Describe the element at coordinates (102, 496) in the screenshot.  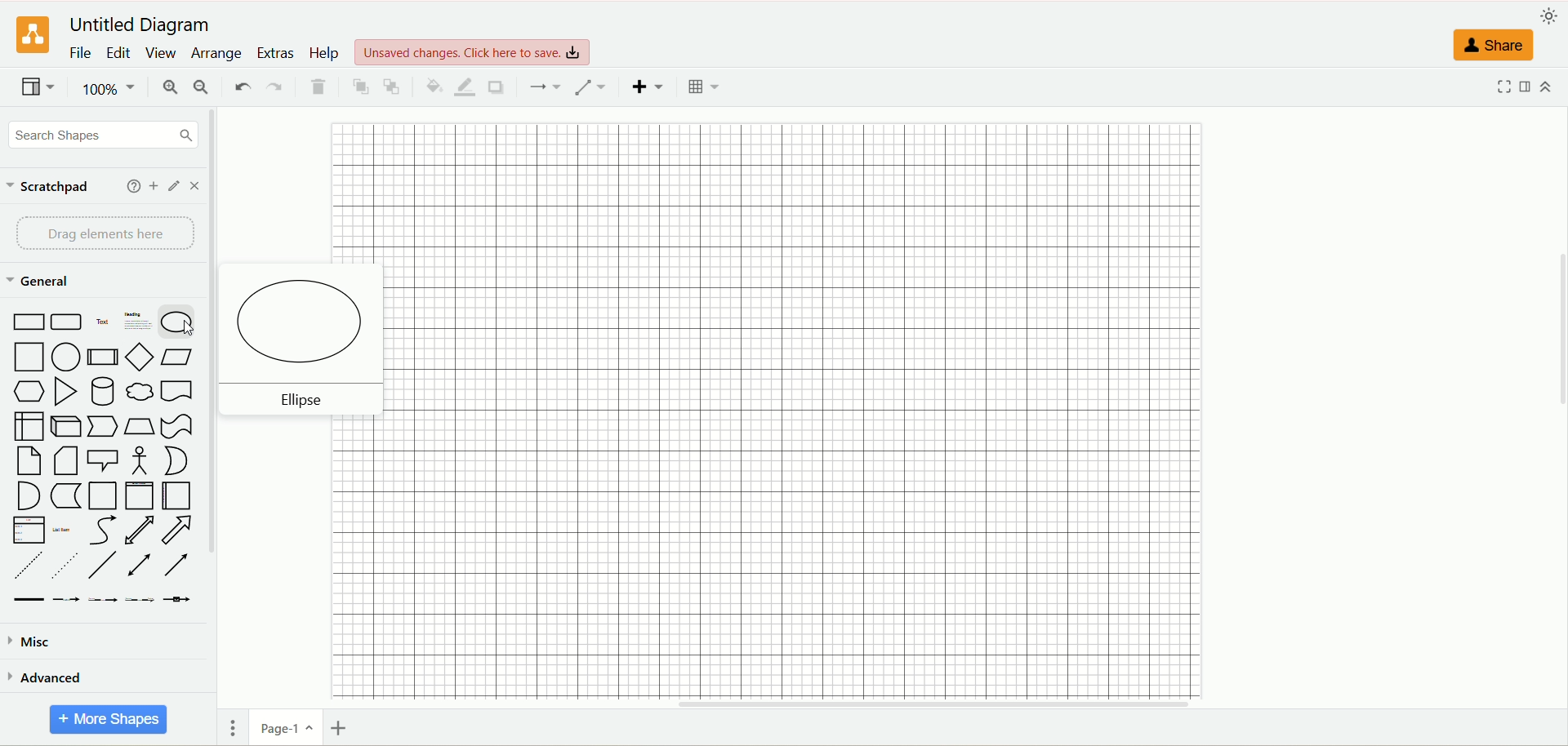
I see `container` at that location.